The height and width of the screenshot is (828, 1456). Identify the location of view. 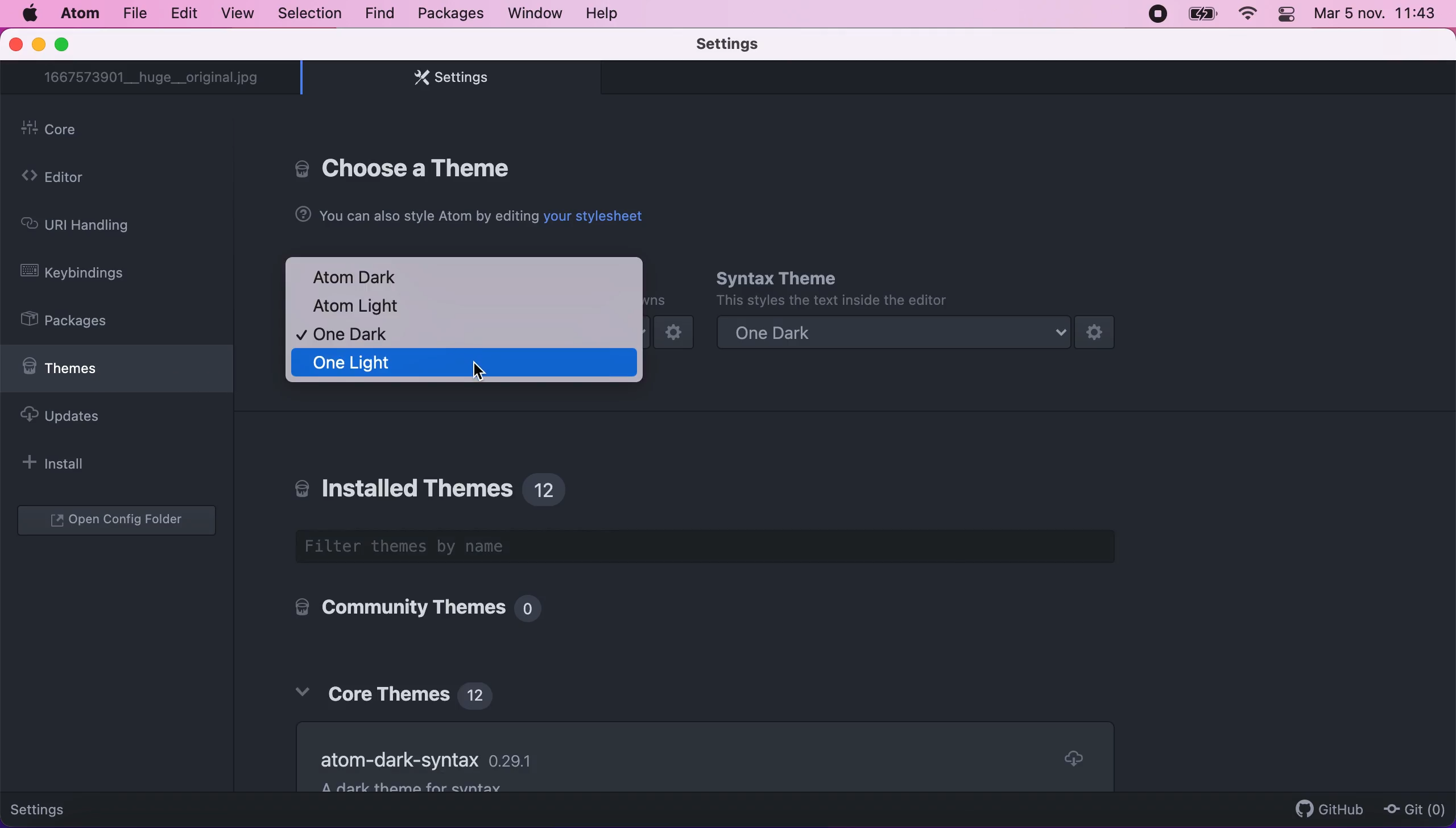
(235, 15).